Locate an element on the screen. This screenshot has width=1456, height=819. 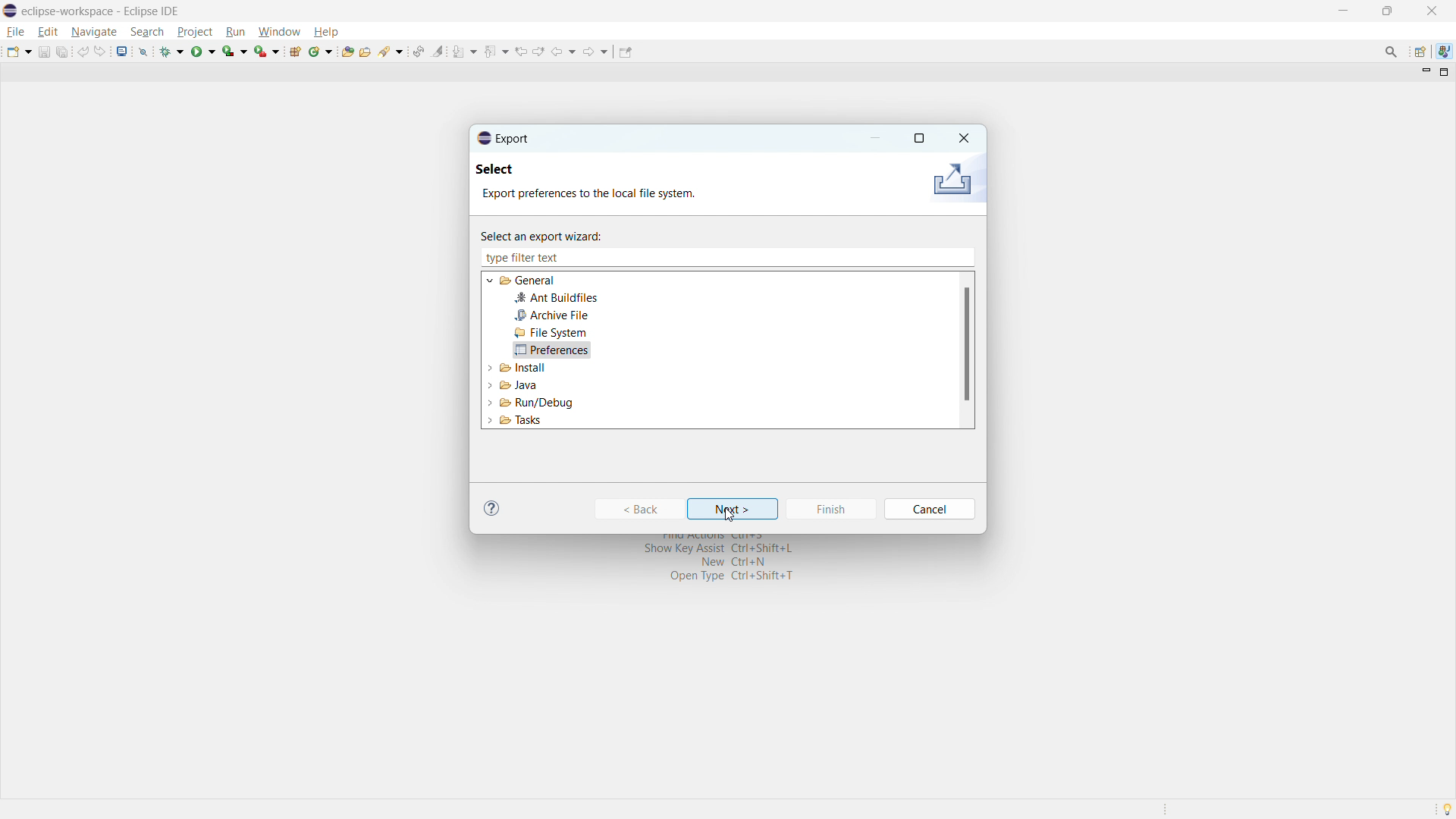
window is located at coordinates (279, 32).